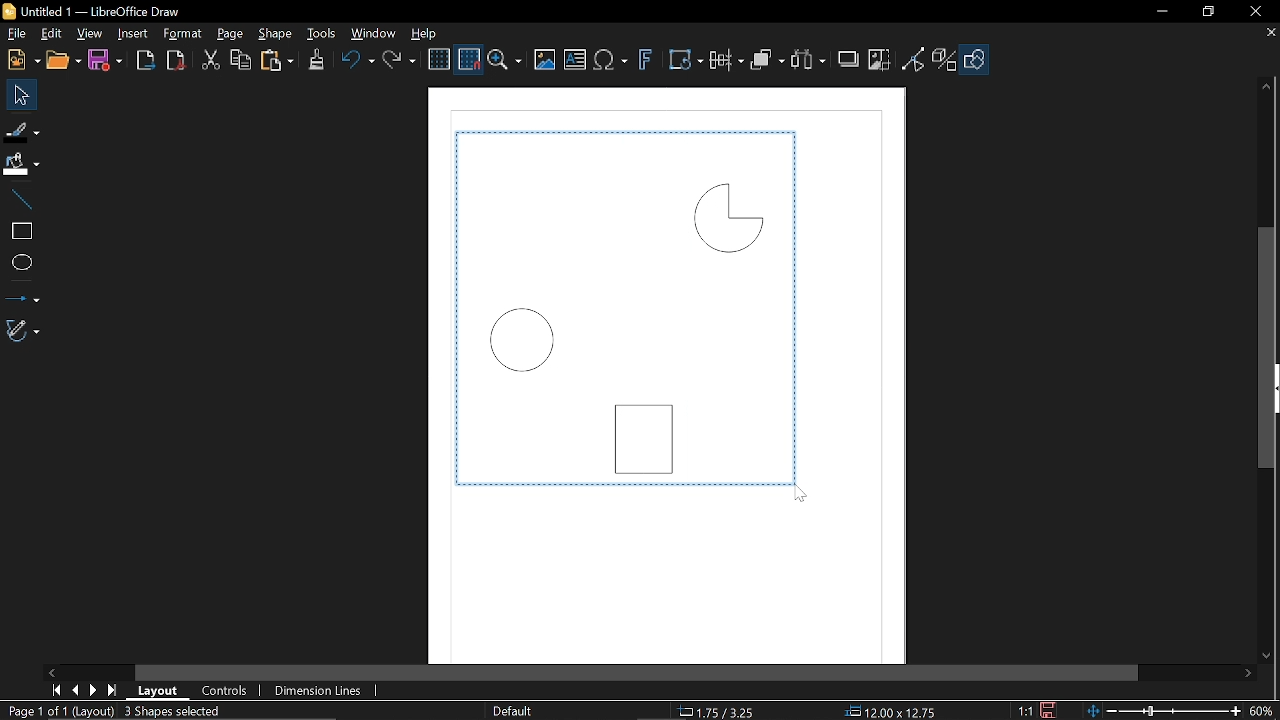 The image size is (1280, 720). Describe the element at coordinates (524, 341) in the screenshot. I see `Circle` at that location.